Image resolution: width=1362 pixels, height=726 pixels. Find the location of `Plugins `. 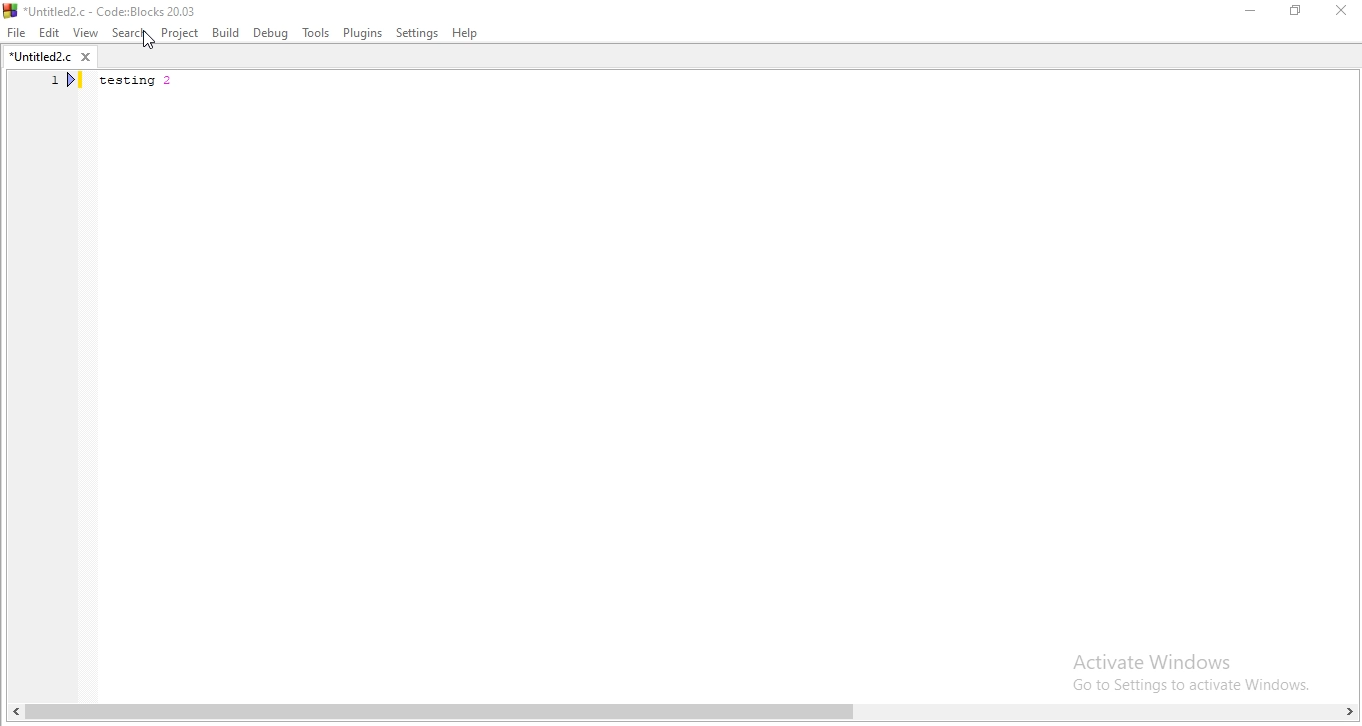

Plugins  is located at coordinates (361, 34).